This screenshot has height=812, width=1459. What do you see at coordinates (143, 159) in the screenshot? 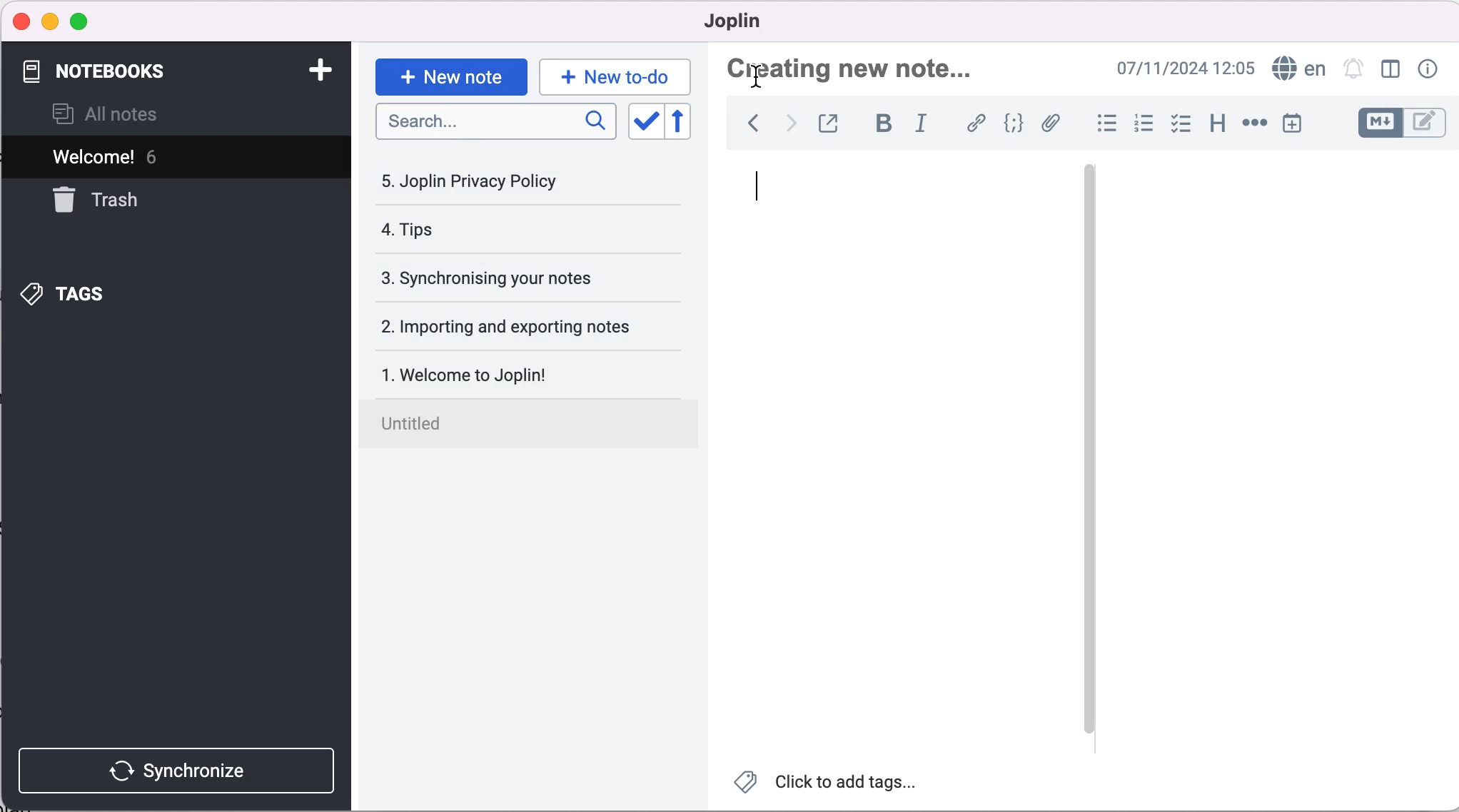
I see `Welcome! 6` at bounding box center [143, 159].